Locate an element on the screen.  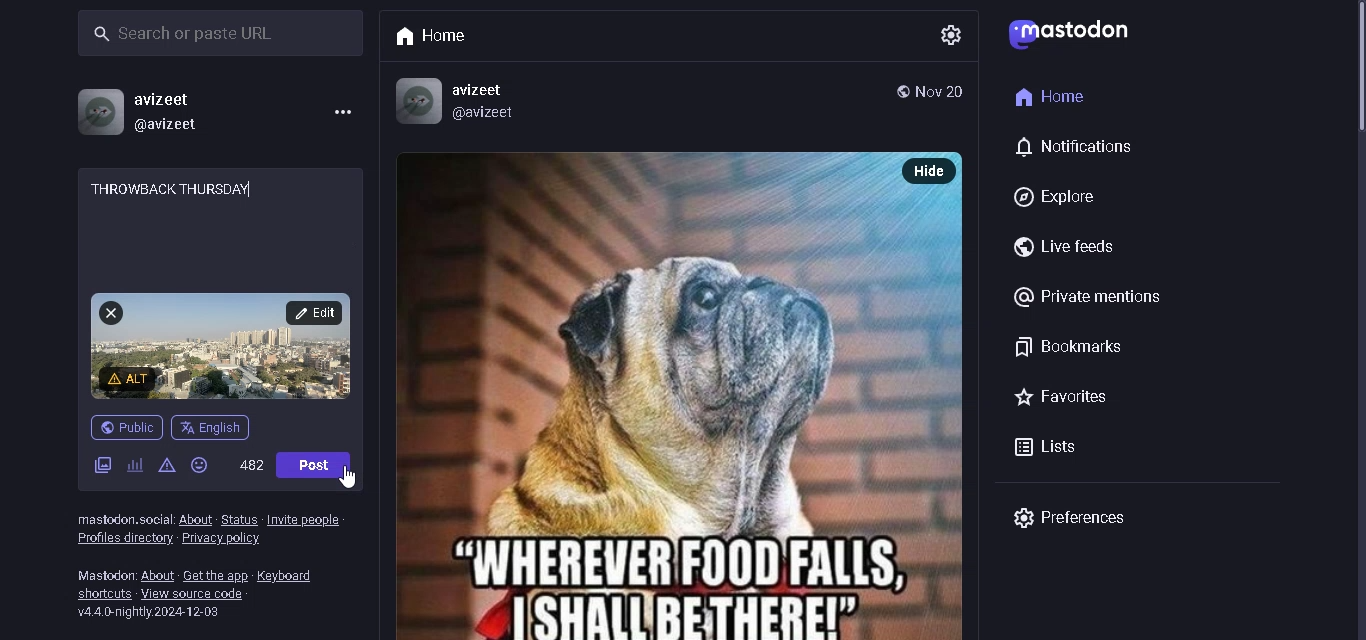
menu is located at coordinates (337, 110).